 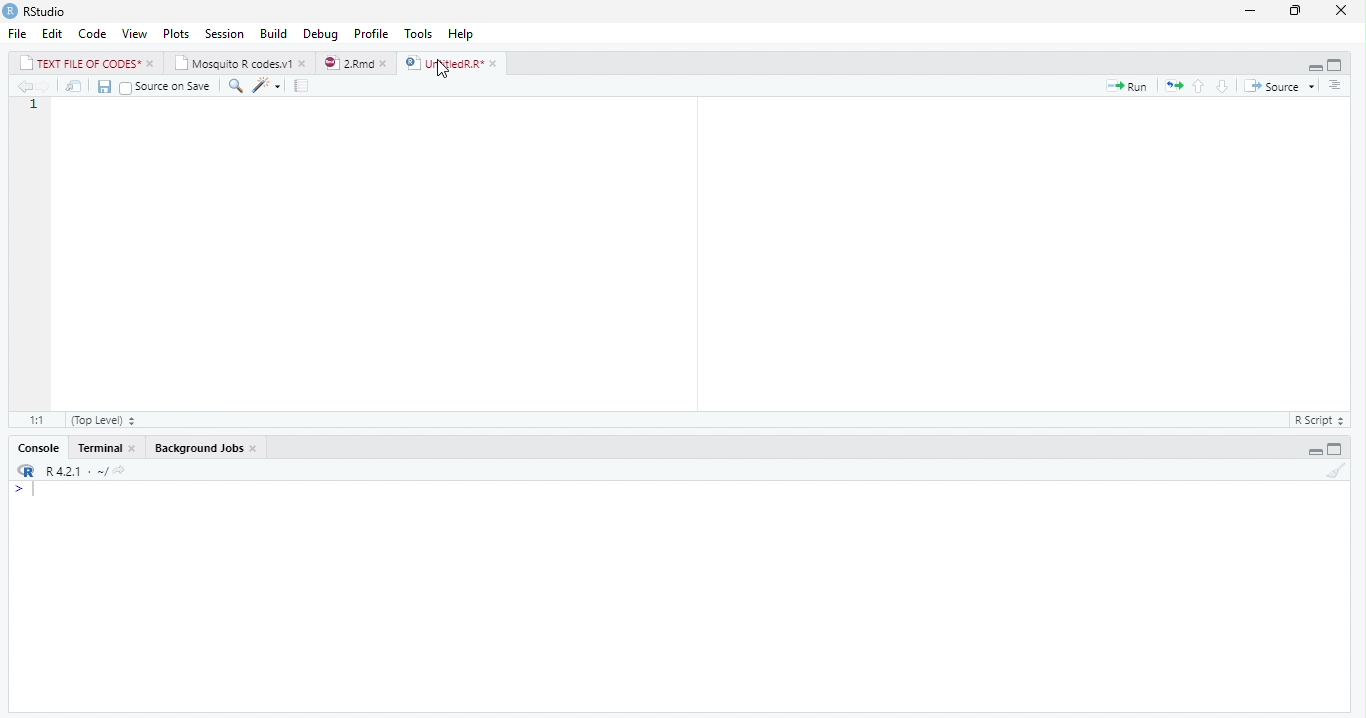 What do you see at coordinates (443, 71) in the screenshot?
I see `cursor` at bounding box center [443, 71].